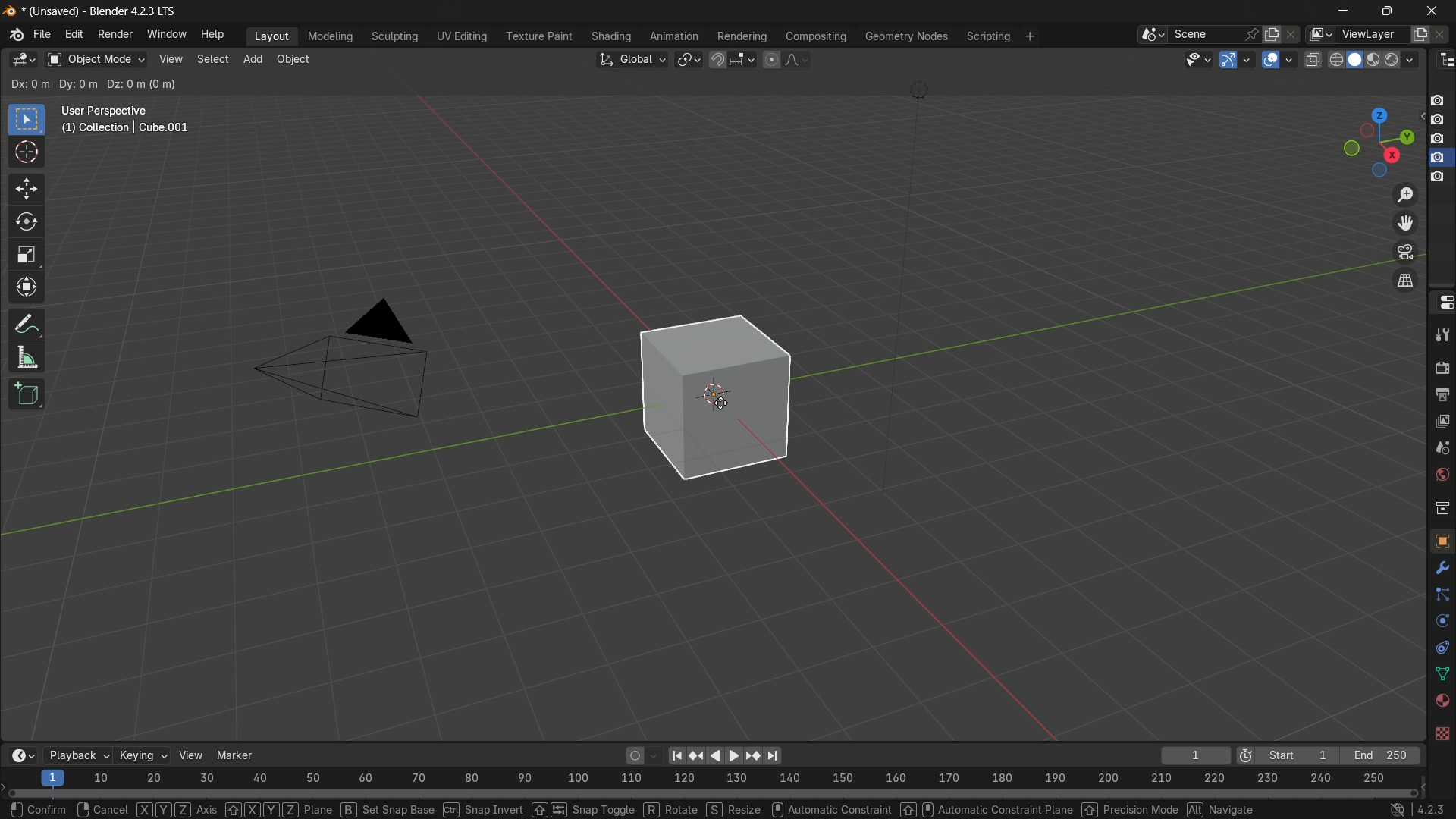  What do you see at coordinates (1421, 33) in the screenshot?
I see `add view layer` at bounding box center [1421, 33].